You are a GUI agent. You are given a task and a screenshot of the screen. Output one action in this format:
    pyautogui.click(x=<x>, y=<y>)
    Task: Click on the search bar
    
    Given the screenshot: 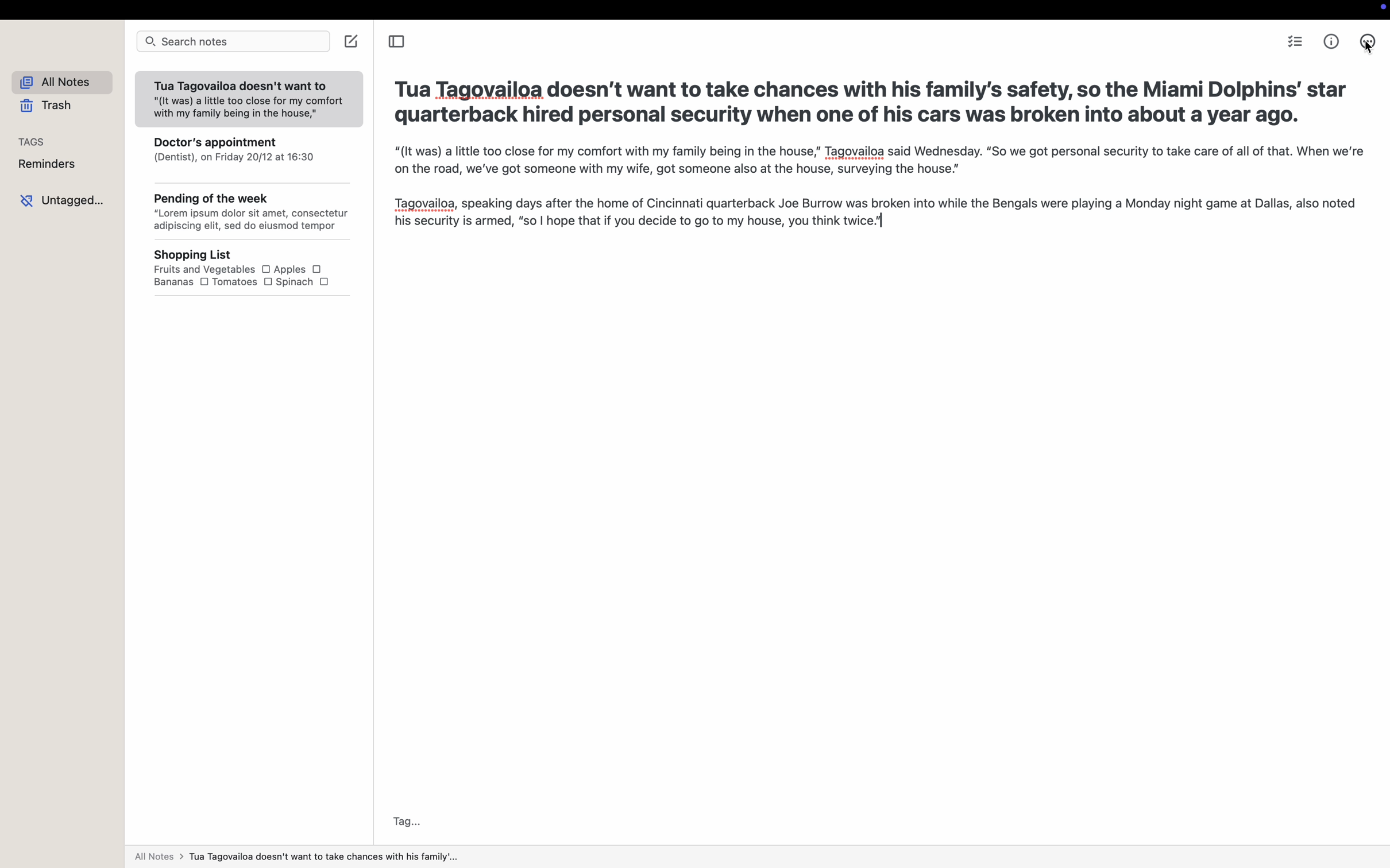 What is the action you would take?
    pyautogui.click(x=233, y=42)
    